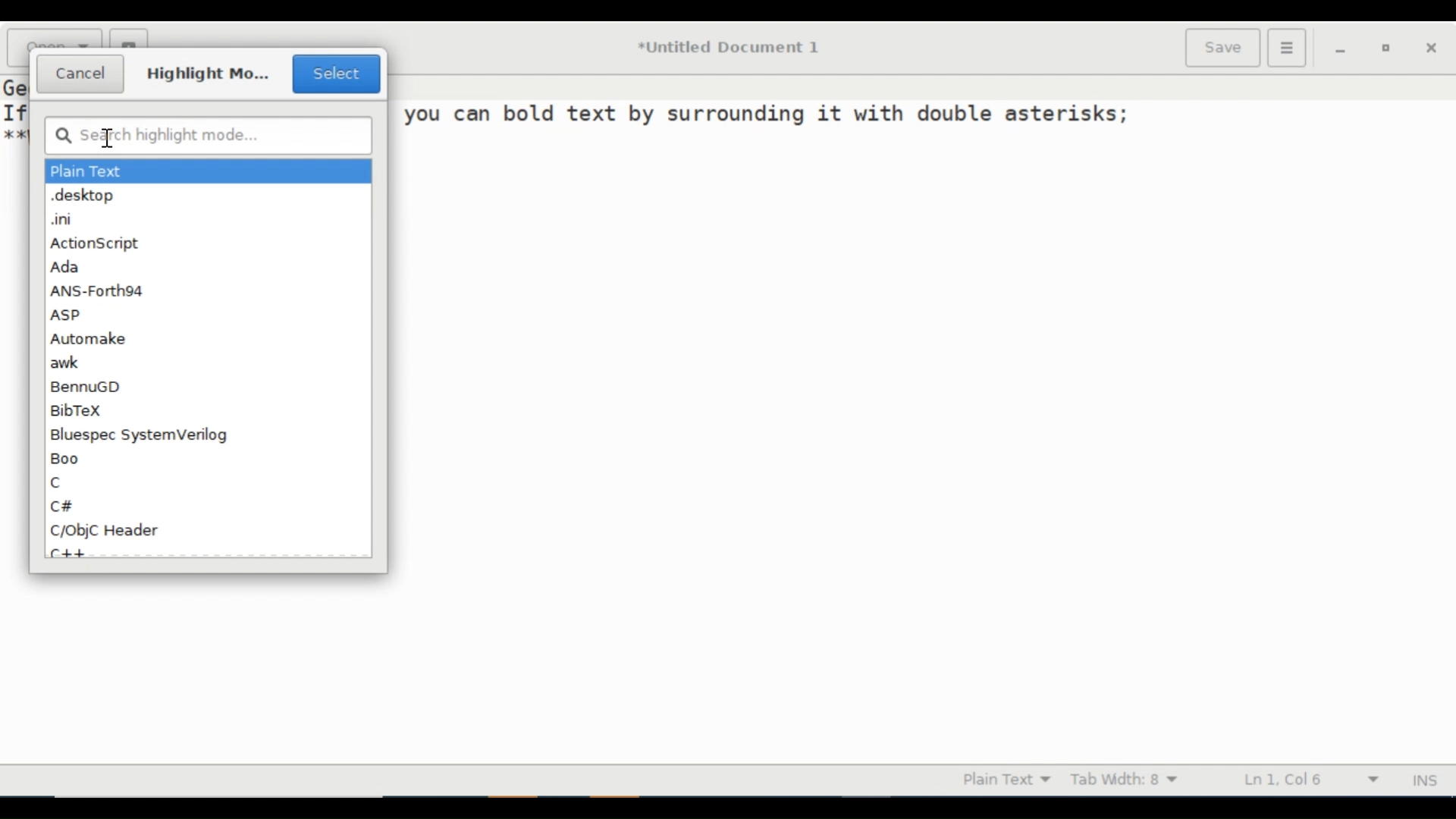 The height and width of the screenshot is (819, 1456). I want to click on .desktop, so click(83, 196).